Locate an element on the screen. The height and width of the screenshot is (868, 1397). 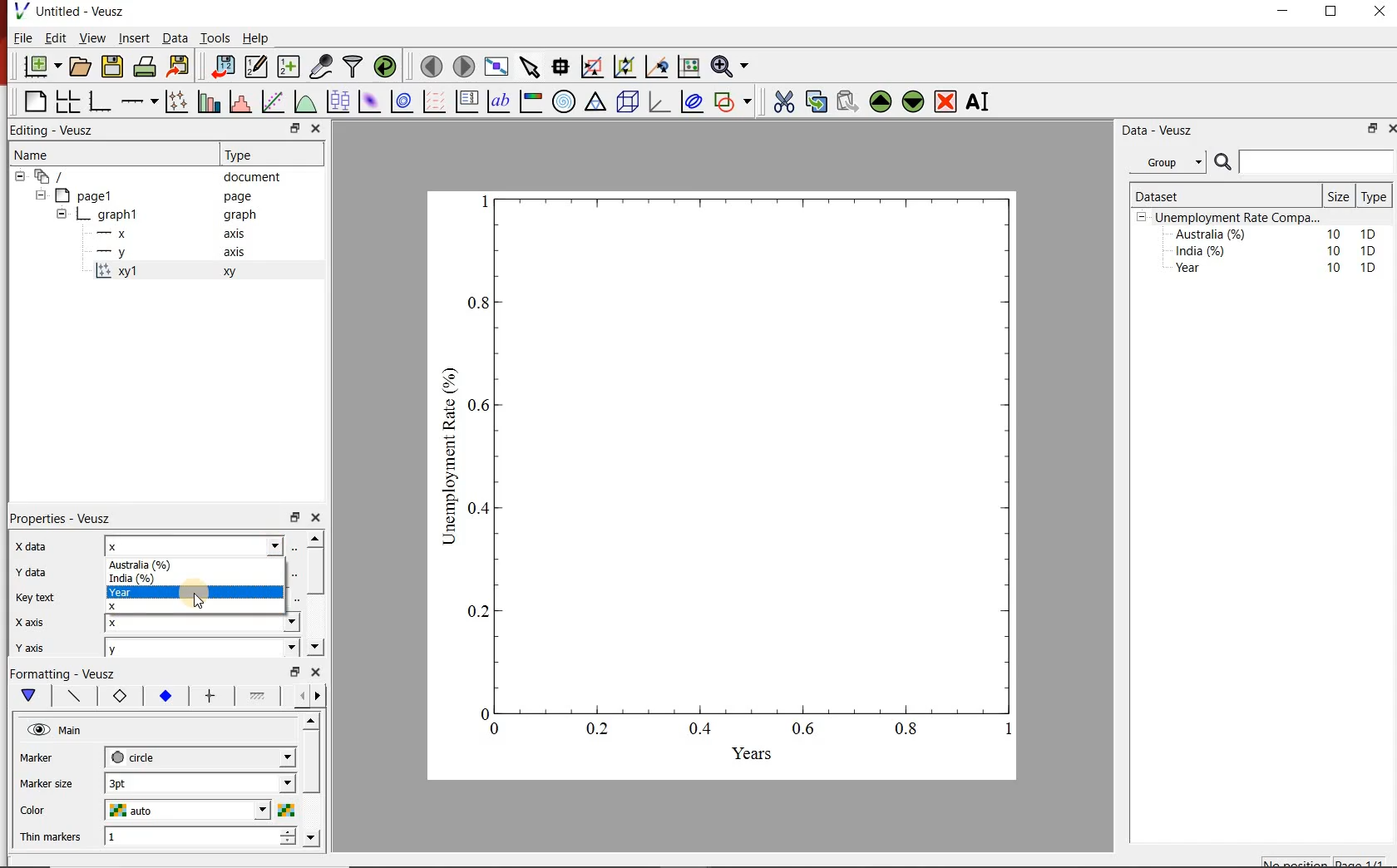
Year is located at coordinates (193, 595).